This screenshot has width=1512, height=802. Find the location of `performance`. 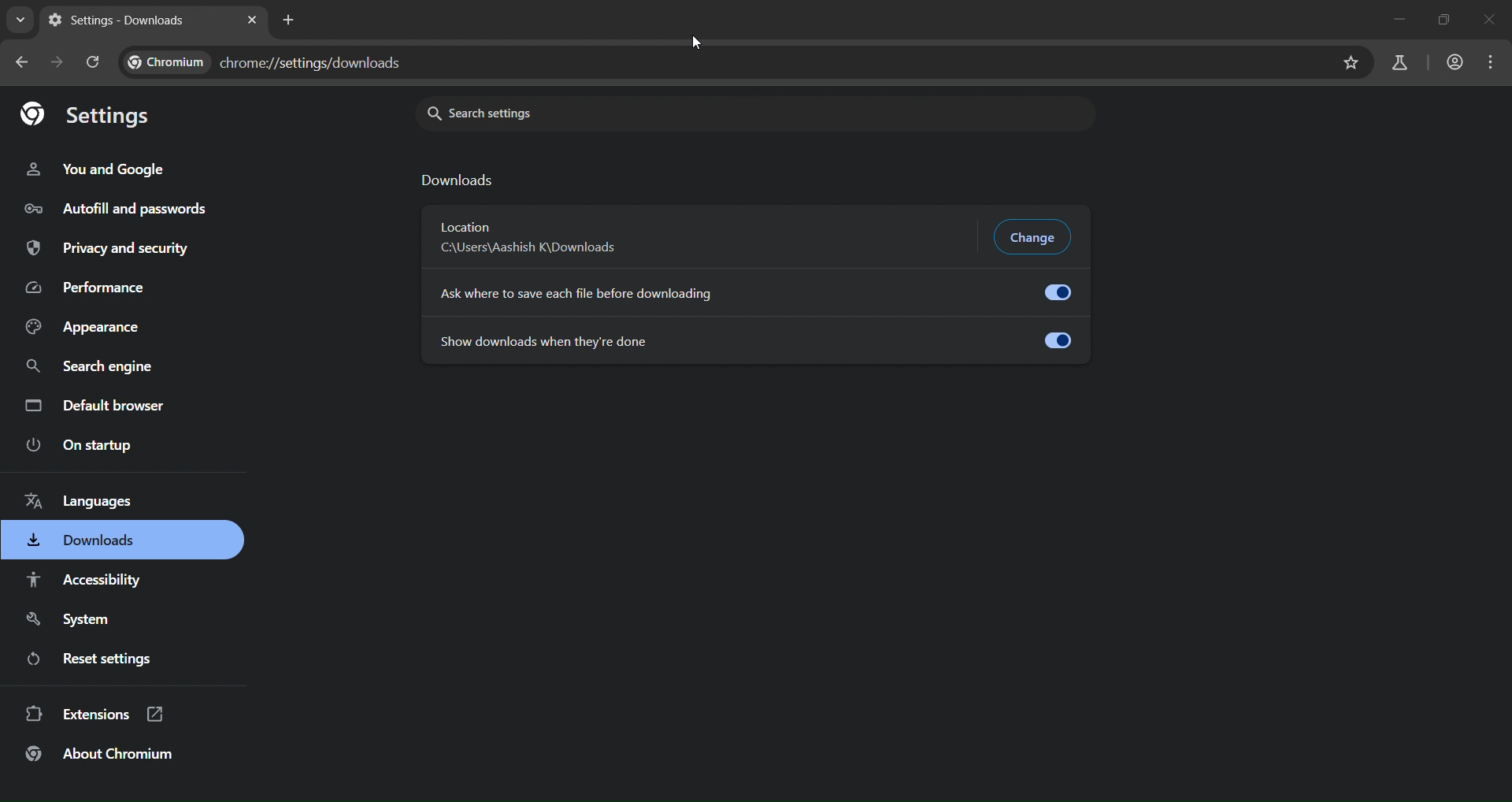

performance is located at coordinates (84, 289).